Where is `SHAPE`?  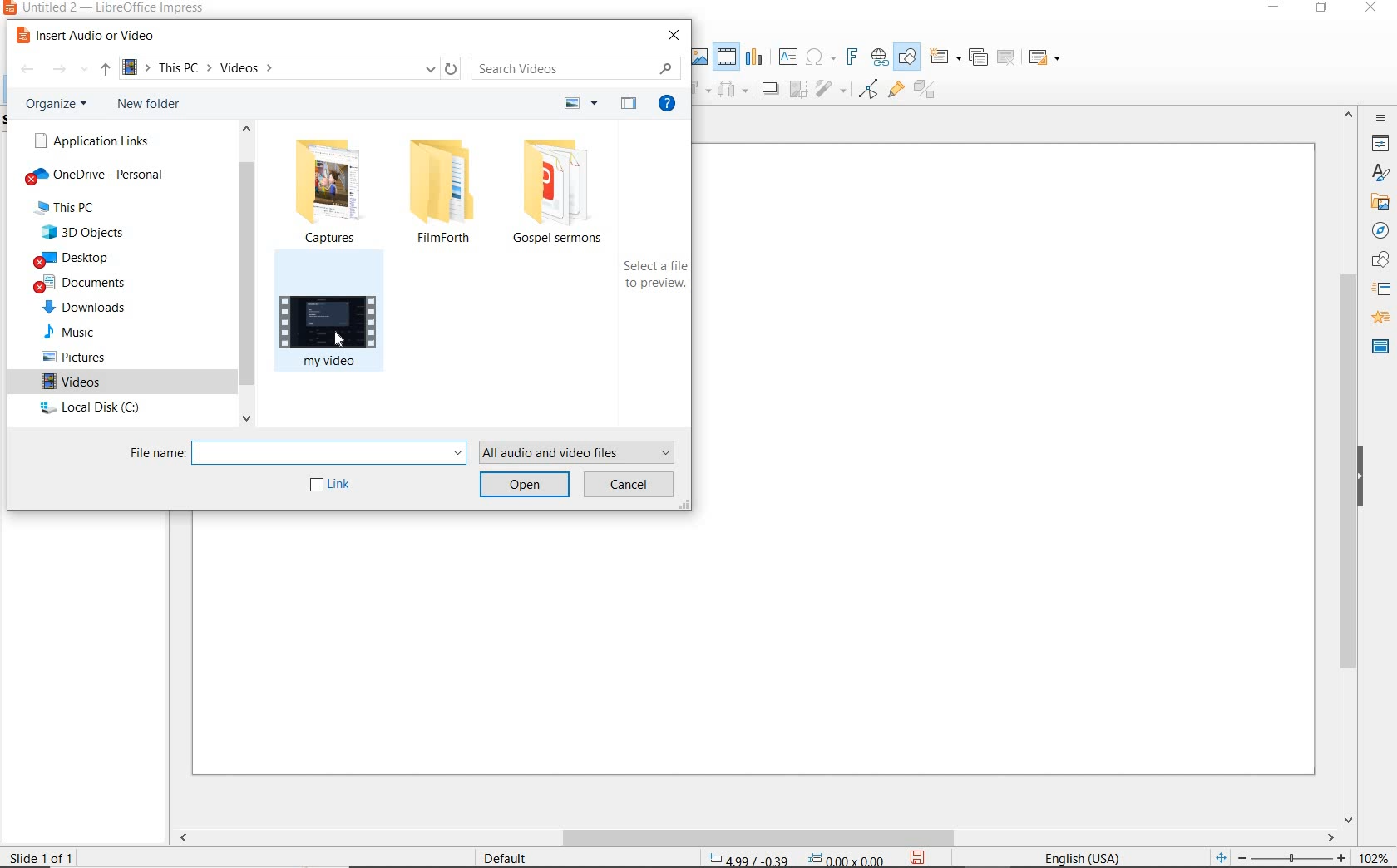 SHAPE is located at coordinates (1381, 262).